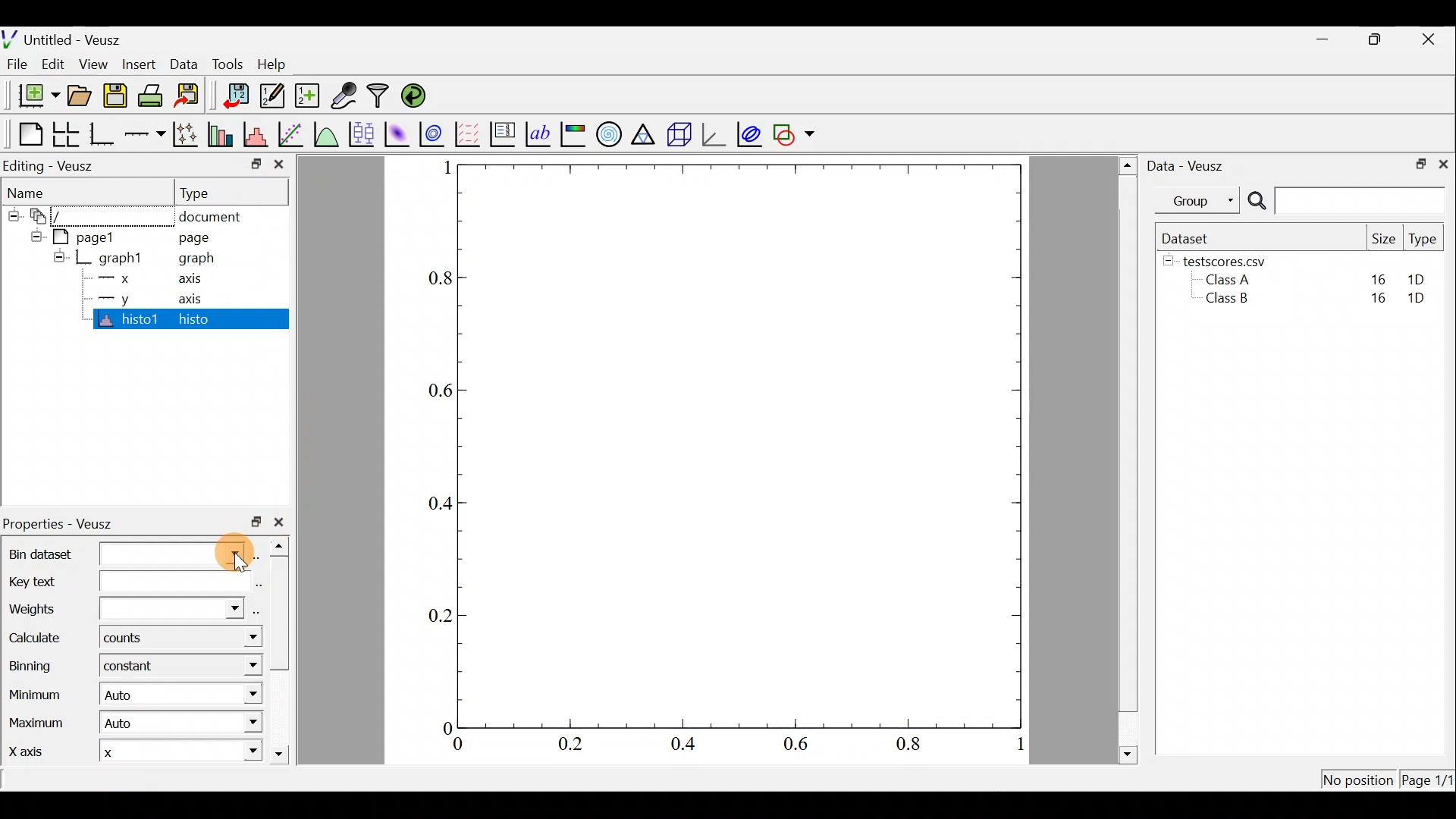  Describe the element at coordinates (292, 133) in the screenshot. I see `Fit a function to data` at that location.